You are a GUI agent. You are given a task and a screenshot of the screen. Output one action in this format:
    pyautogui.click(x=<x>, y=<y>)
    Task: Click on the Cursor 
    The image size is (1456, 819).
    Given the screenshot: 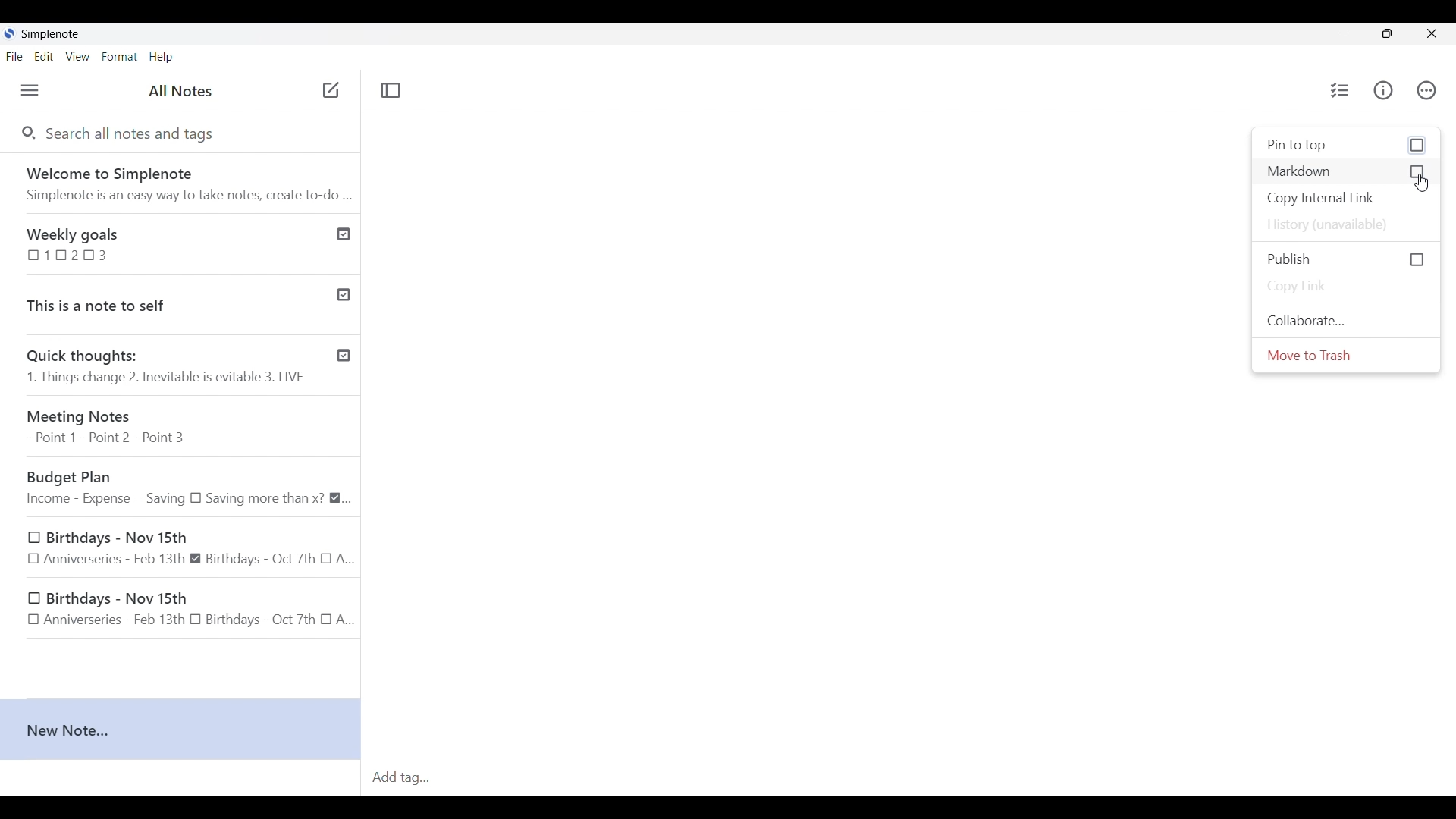 What is the action you would take?
    pyautogui.click(x=1421, y=186)
    